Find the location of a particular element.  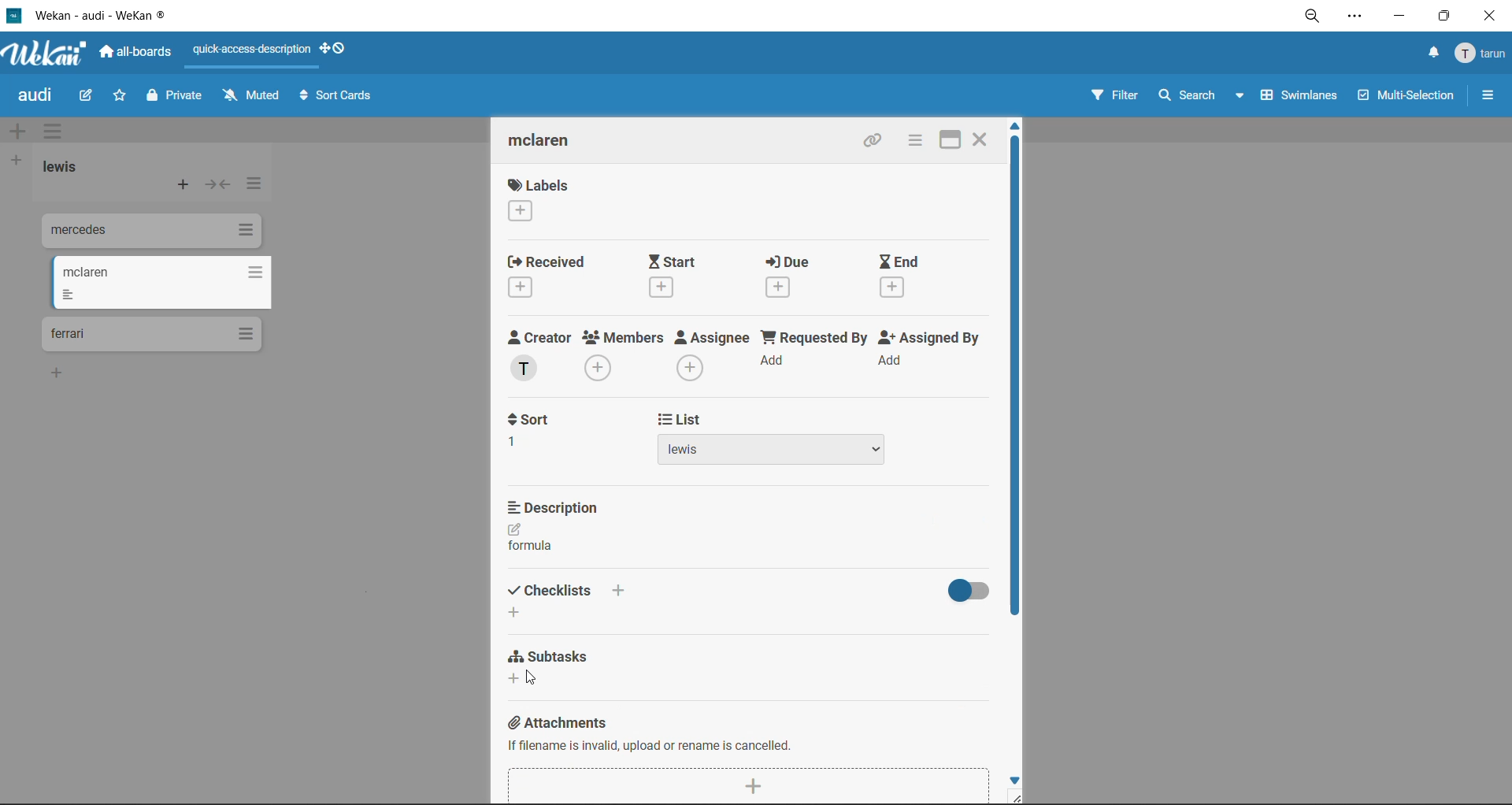

sort is located at coordinates (539, 431).